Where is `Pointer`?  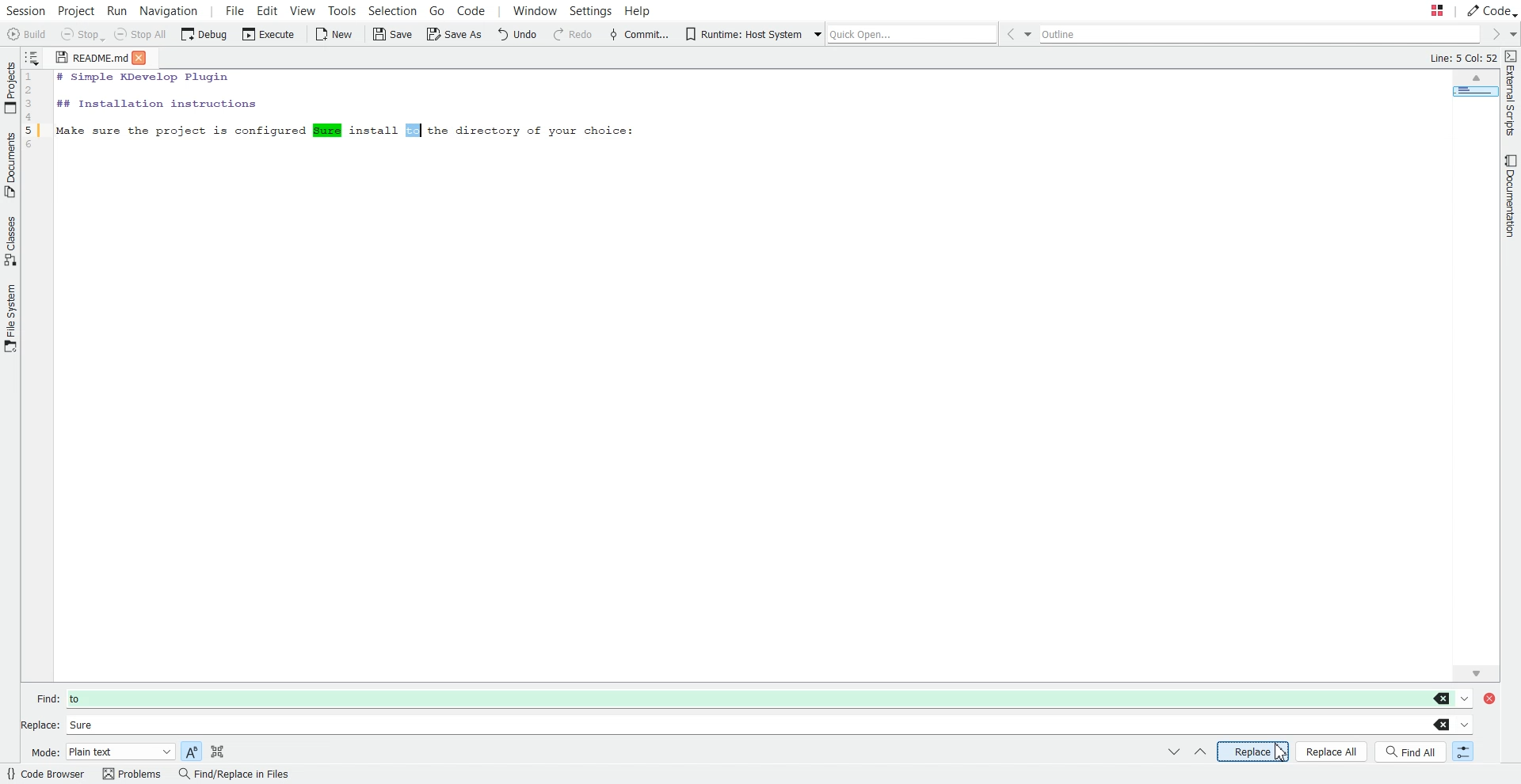
Pointer is located at coordinates (1283, 752).